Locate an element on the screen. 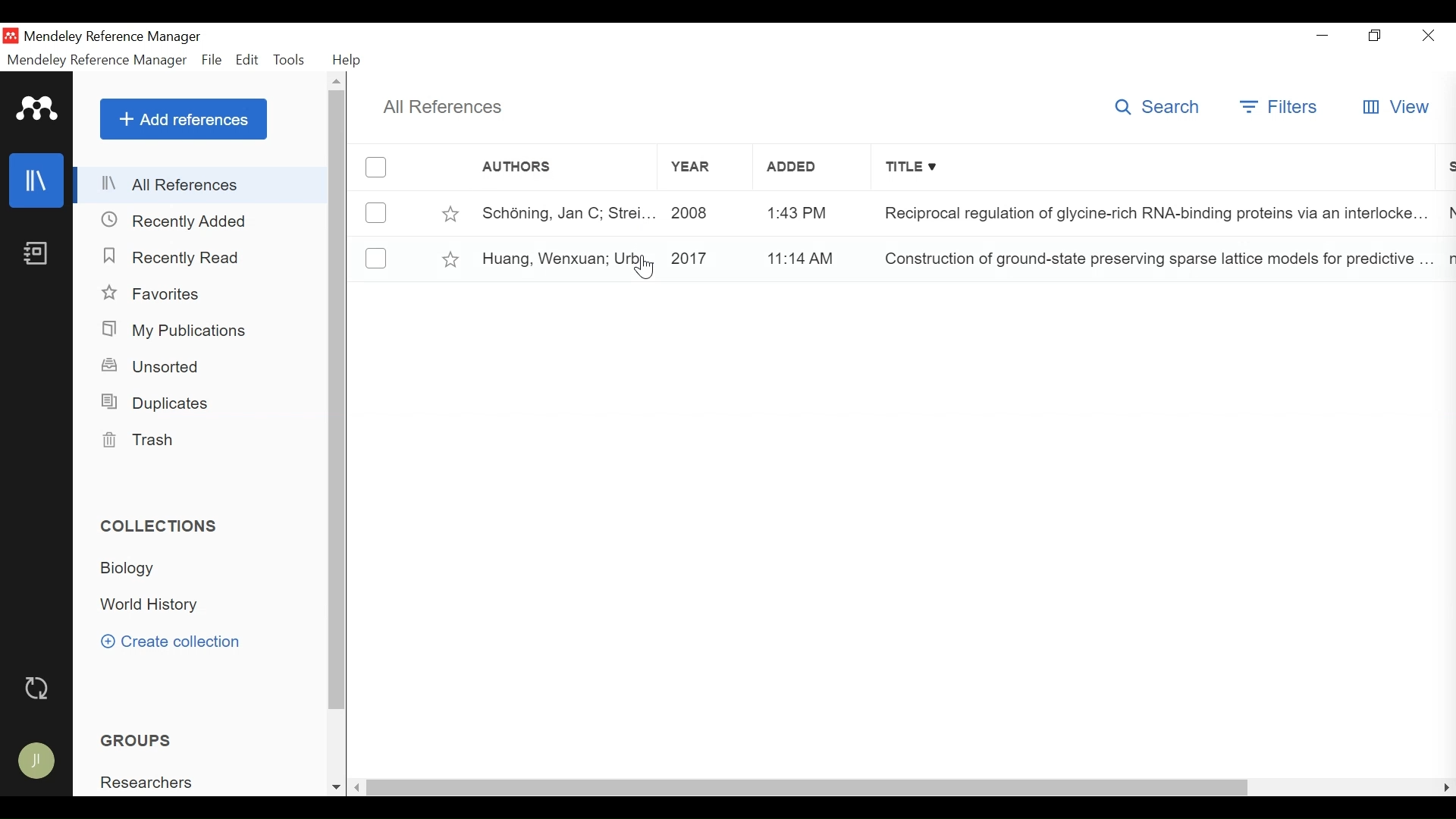  minimize is located at coordinates (1323, 36).